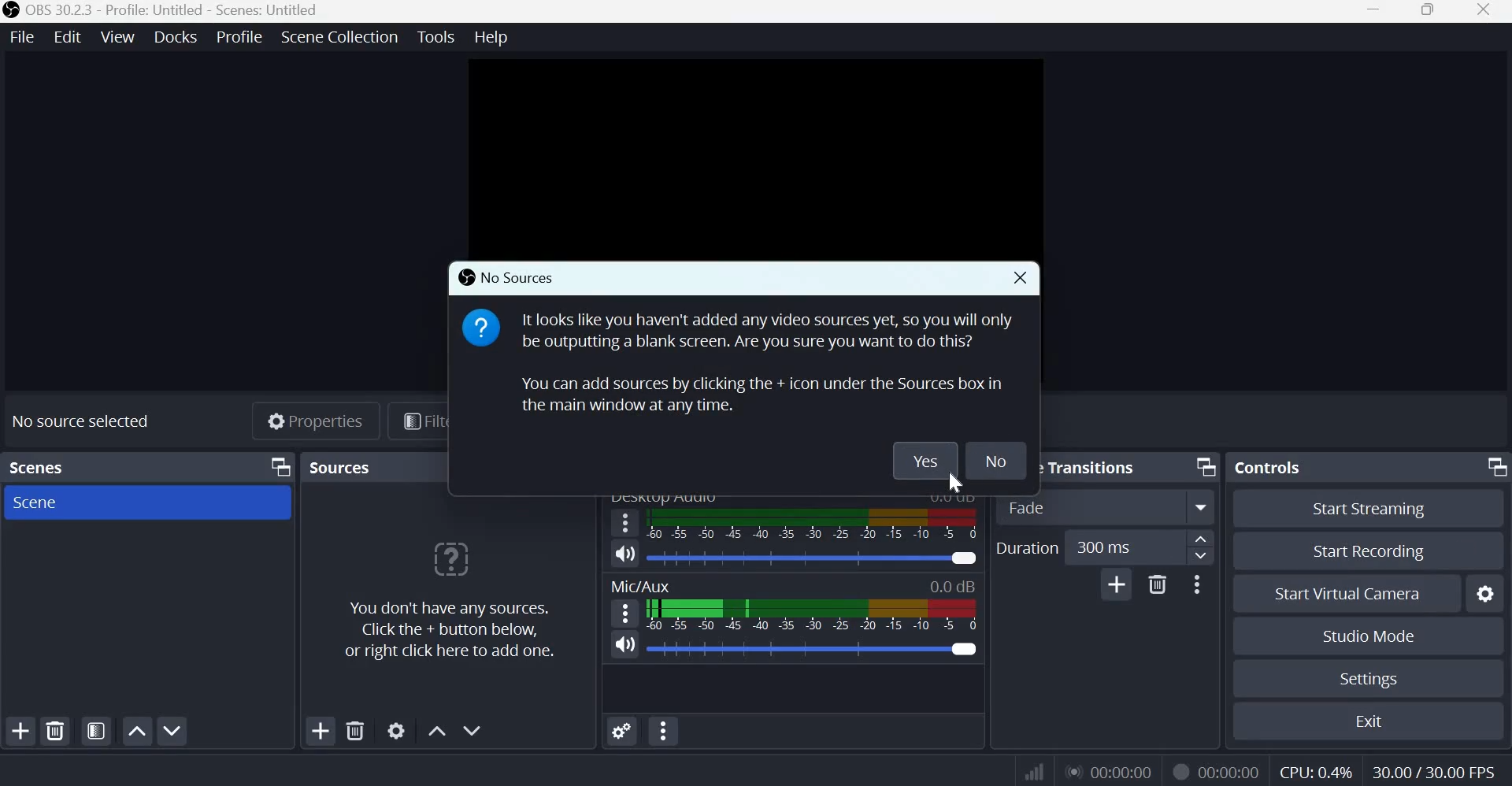 The image size is (1512, 786). What do you see at coordinates (1020, 280) in the screenshot?
I see `close` at bounding box center [1020, 280].